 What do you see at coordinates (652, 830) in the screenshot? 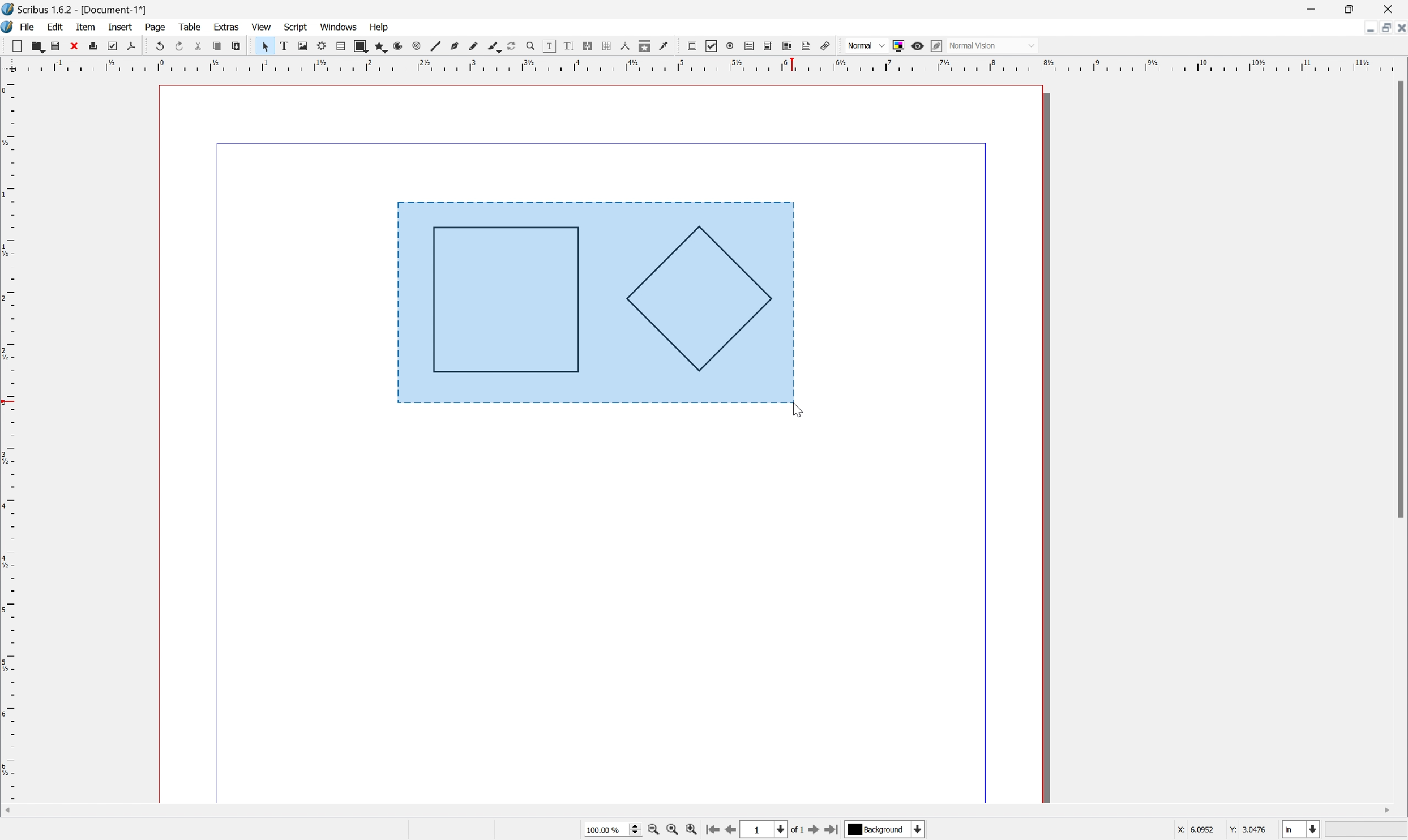
I see `Zoom in` at bounding box center [652, 830].